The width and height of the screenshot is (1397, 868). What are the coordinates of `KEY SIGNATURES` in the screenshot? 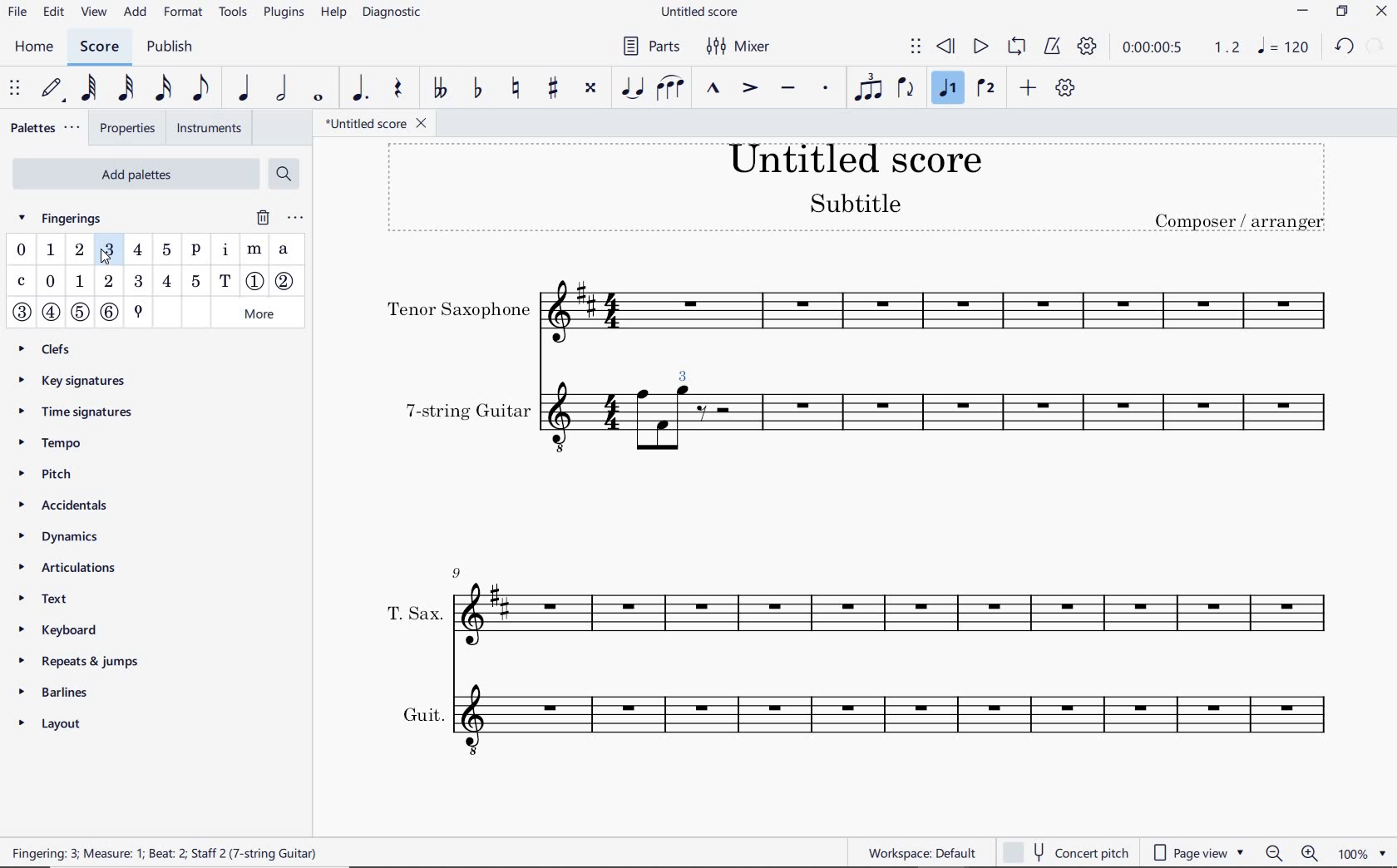 It's located at (81, 378).